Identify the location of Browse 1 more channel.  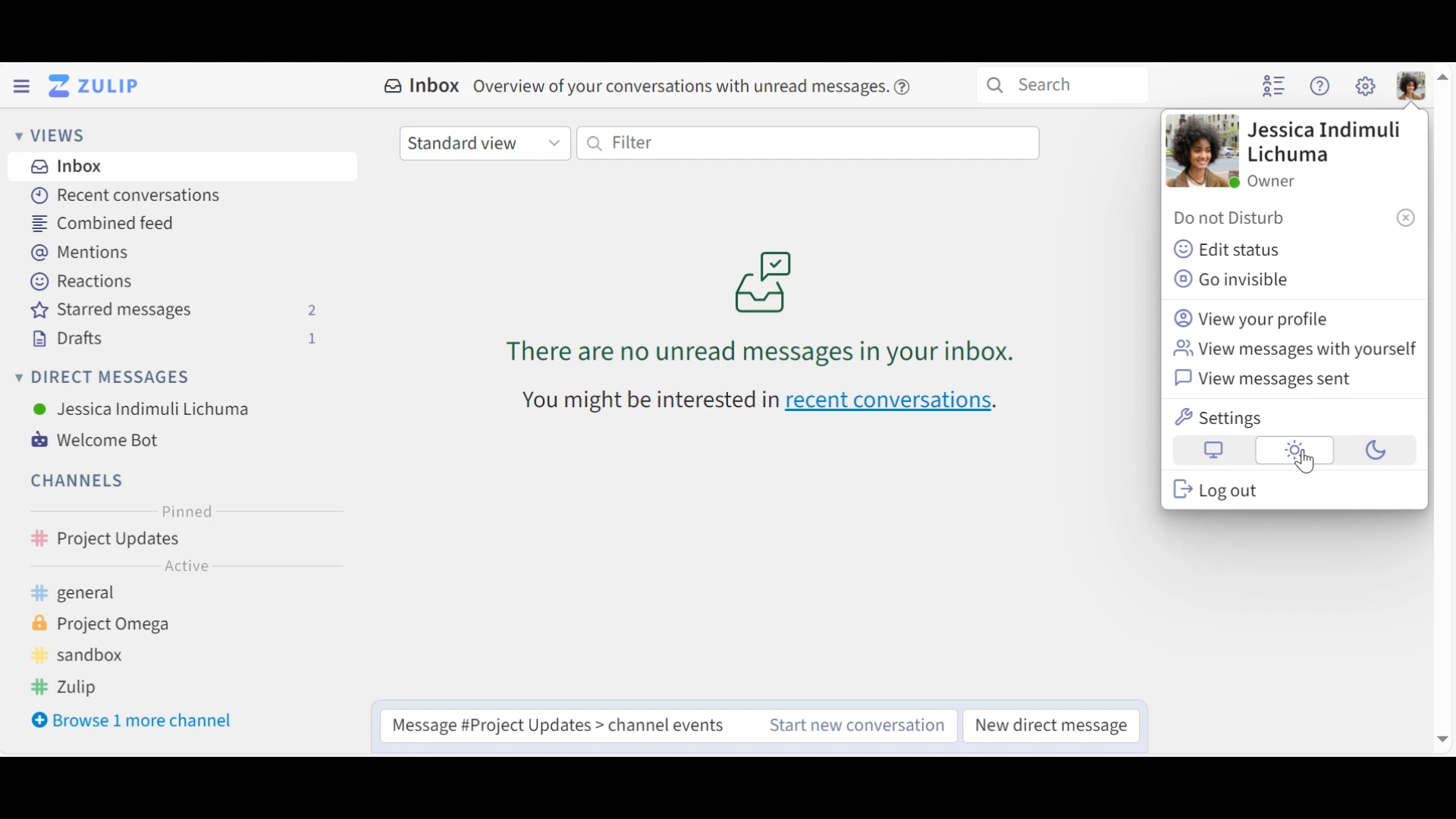
(135, 722).